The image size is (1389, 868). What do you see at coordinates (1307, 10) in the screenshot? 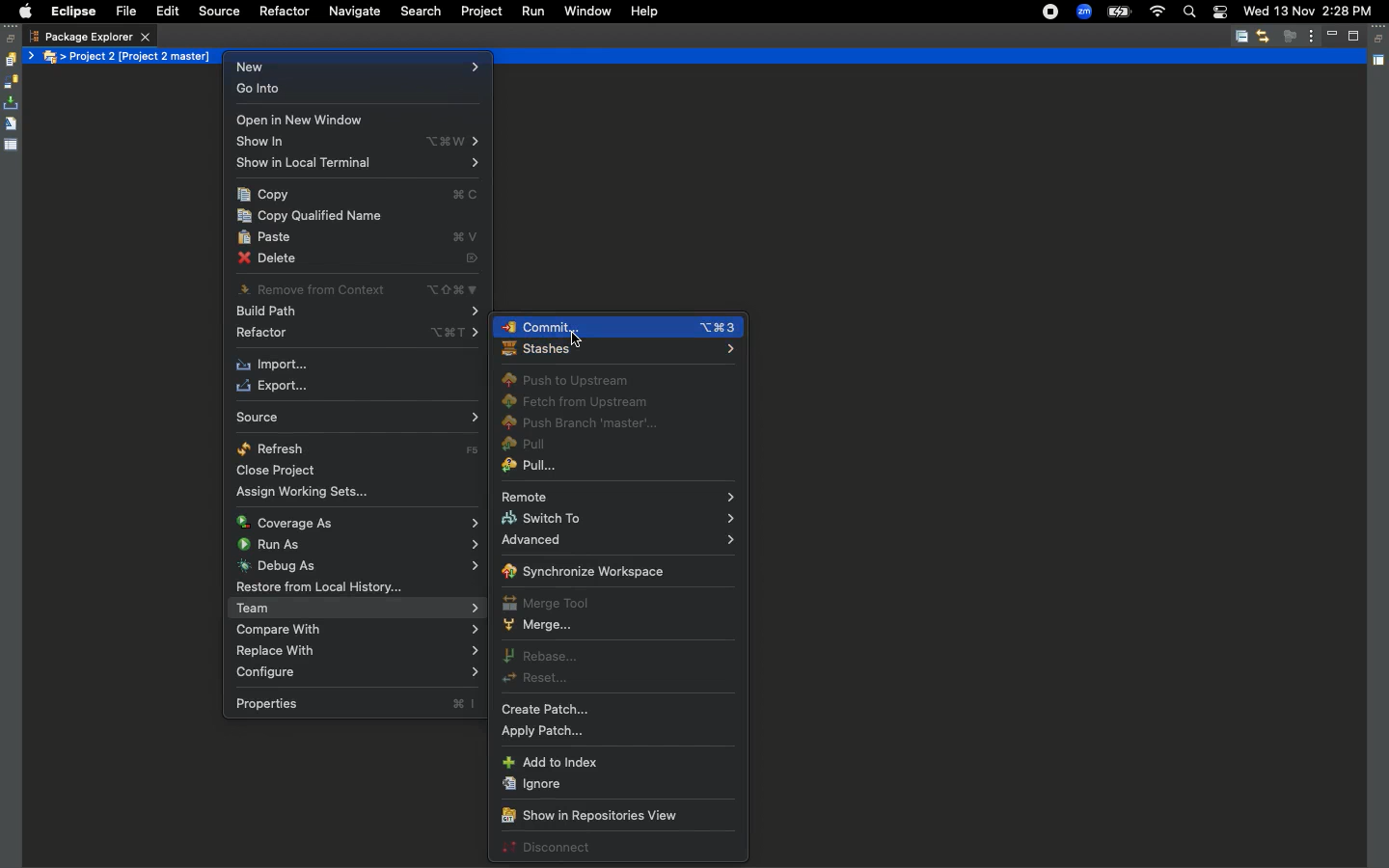
I see `Wed 13 Nov 2:28 PM` at bounding box center [1307, 10].